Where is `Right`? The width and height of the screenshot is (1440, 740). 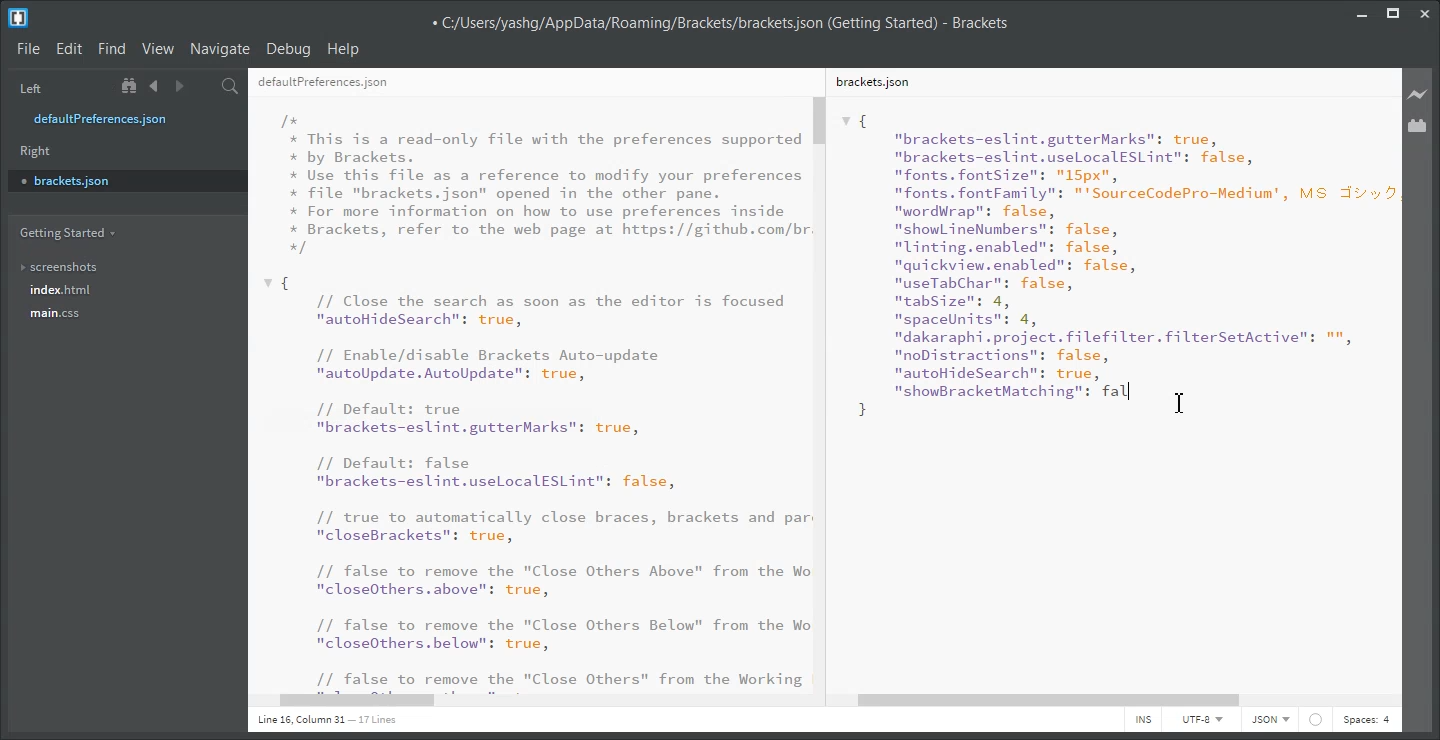
Right is located at coordinates (36, 151).